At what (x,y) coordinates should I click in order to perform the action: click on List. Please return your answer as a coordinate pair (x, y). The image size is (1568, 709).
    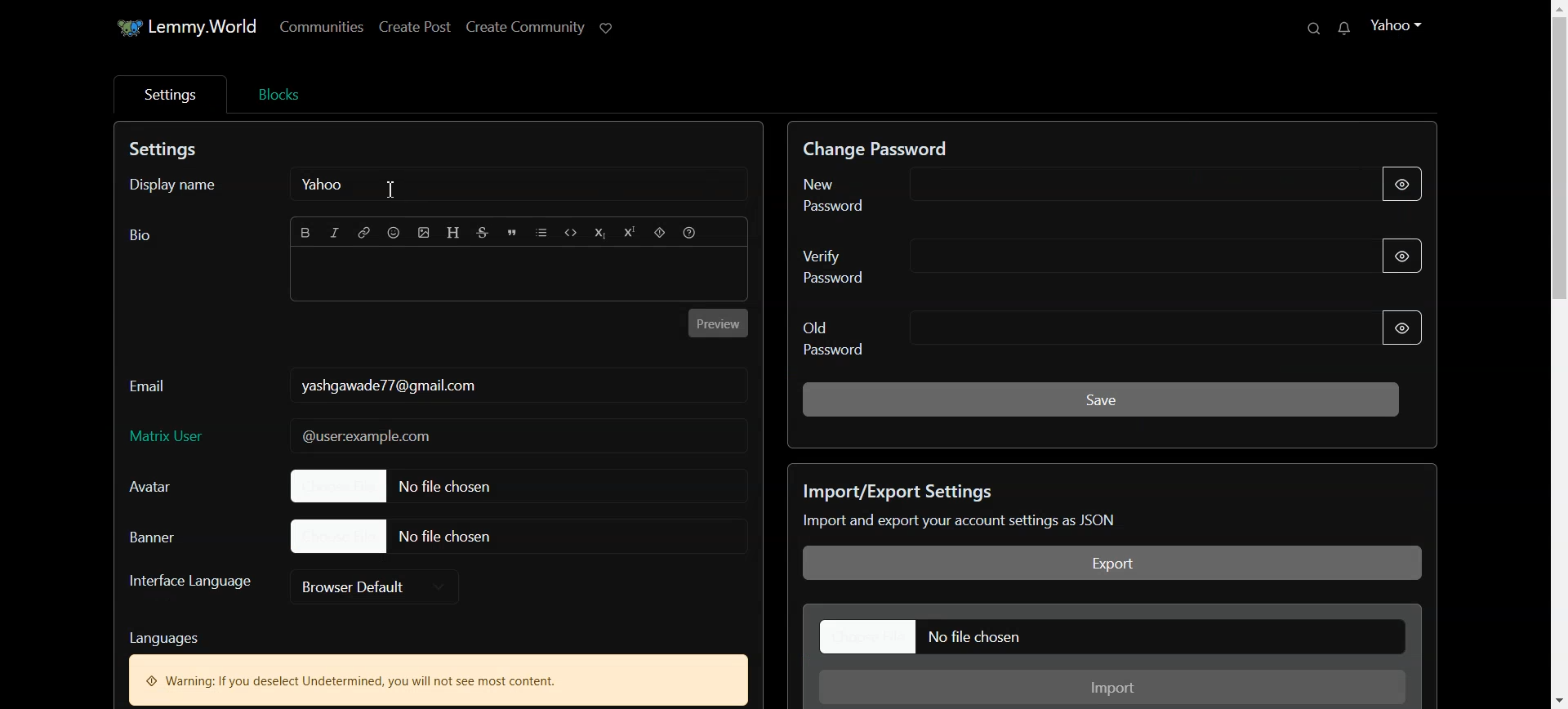
    Looking at the image, I should click on (543, 234).